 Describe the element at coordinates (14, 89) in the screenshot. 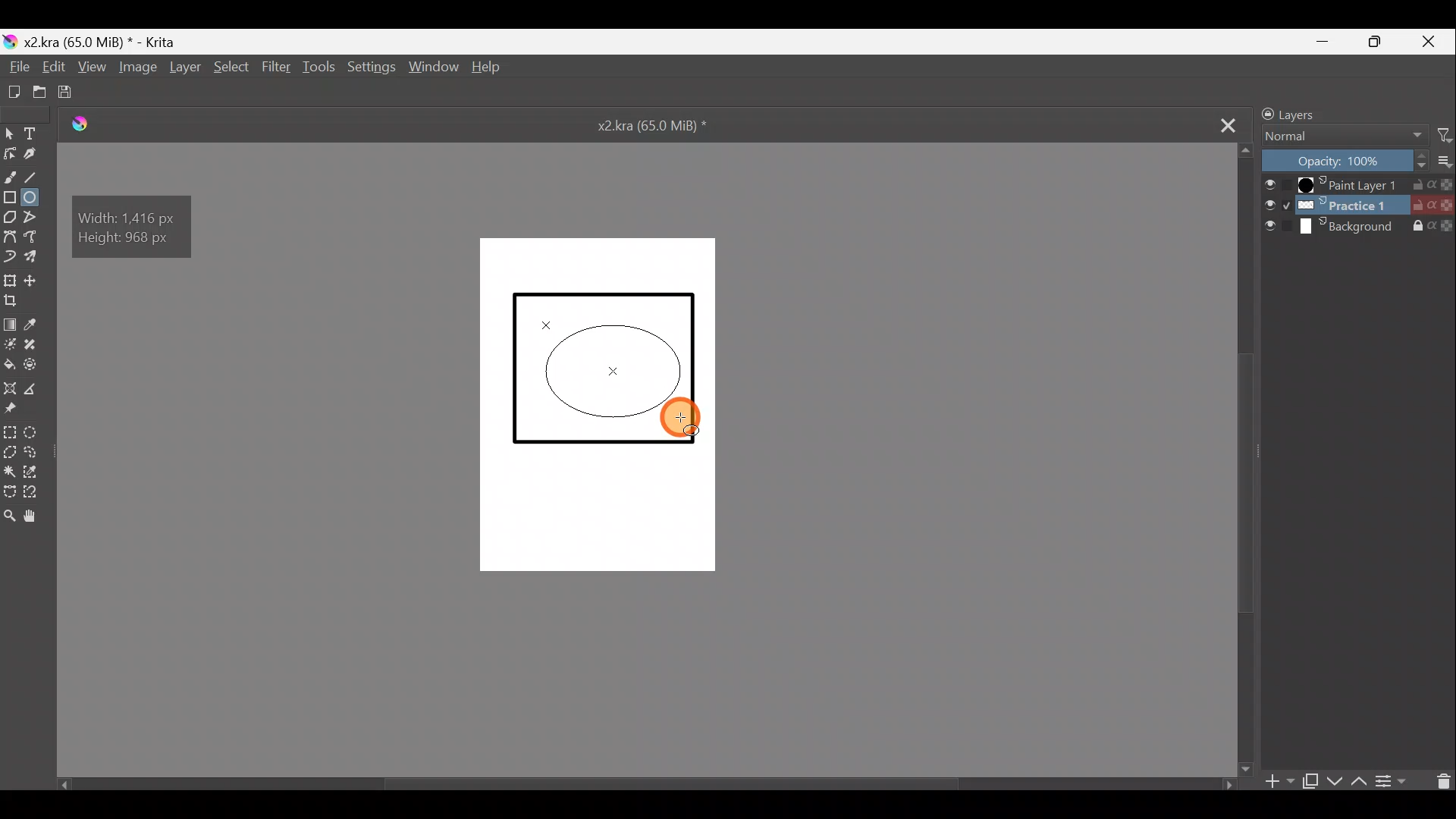

I see `Create a new document` at that location.